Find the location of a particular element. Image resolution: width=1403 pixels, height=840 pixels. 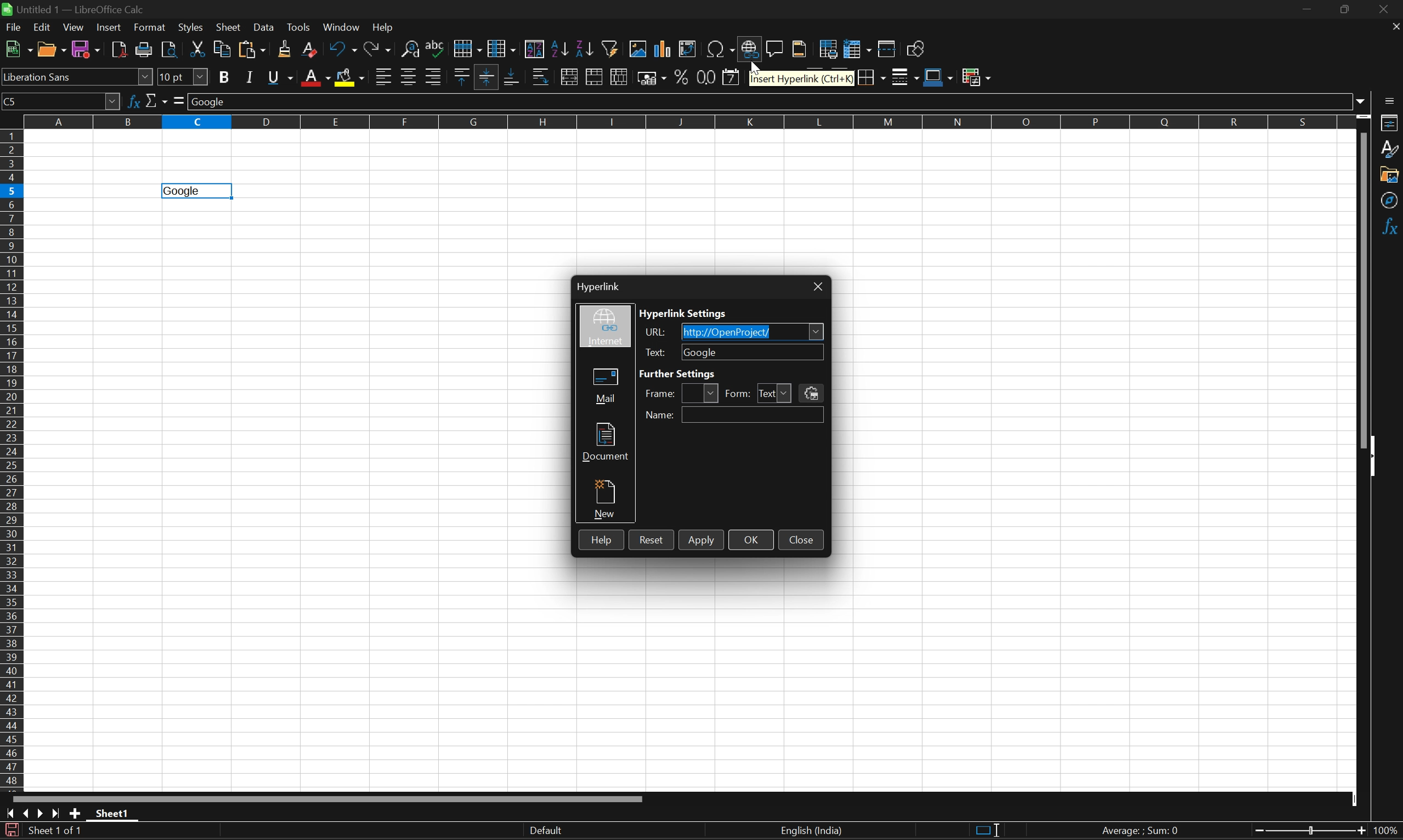

Cut is located at coordinates (199, 48).